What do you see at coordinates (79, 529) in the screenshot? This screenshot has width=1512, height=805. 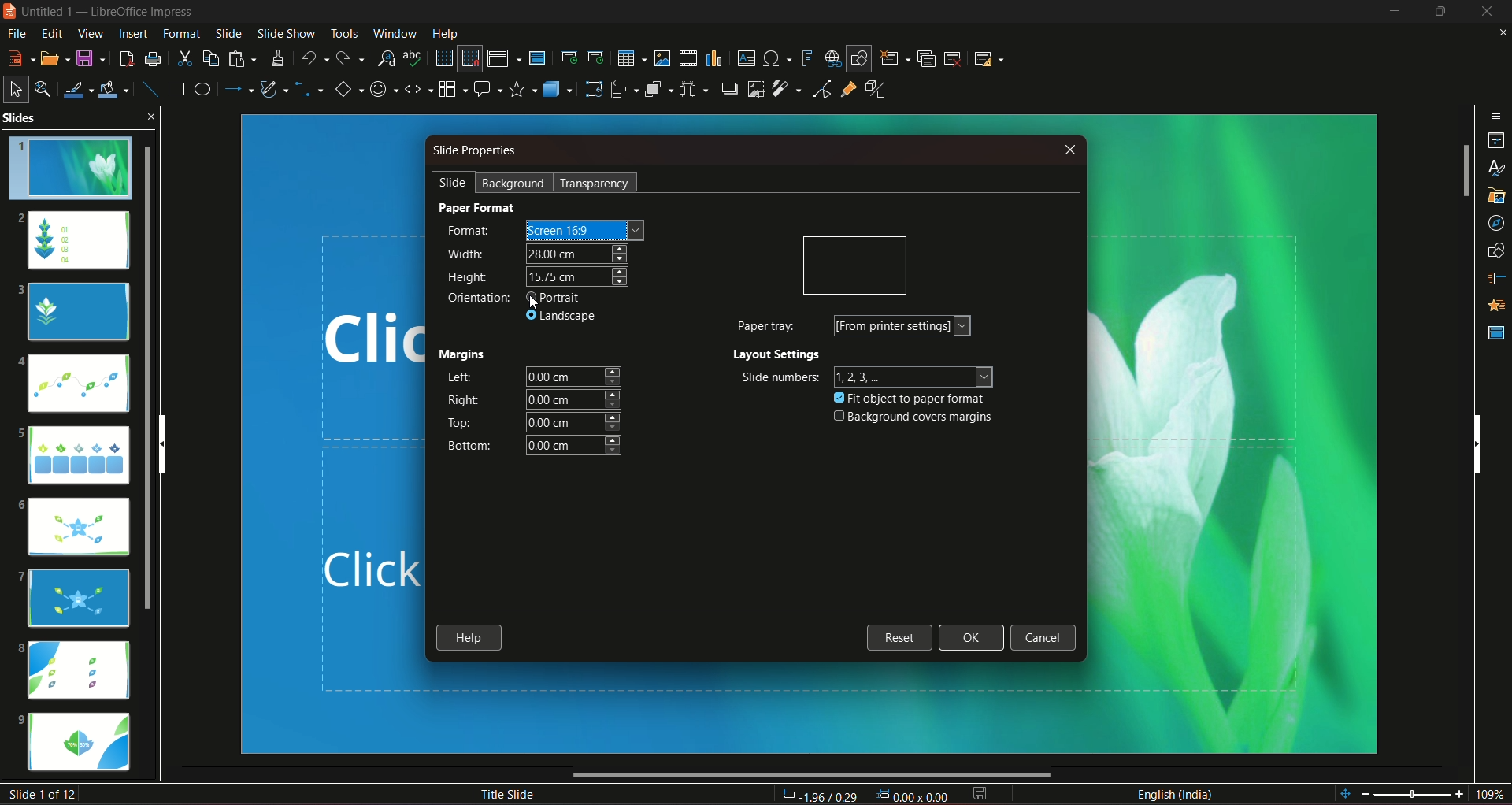 I see `slide 6` at bounding box center [79, 529].